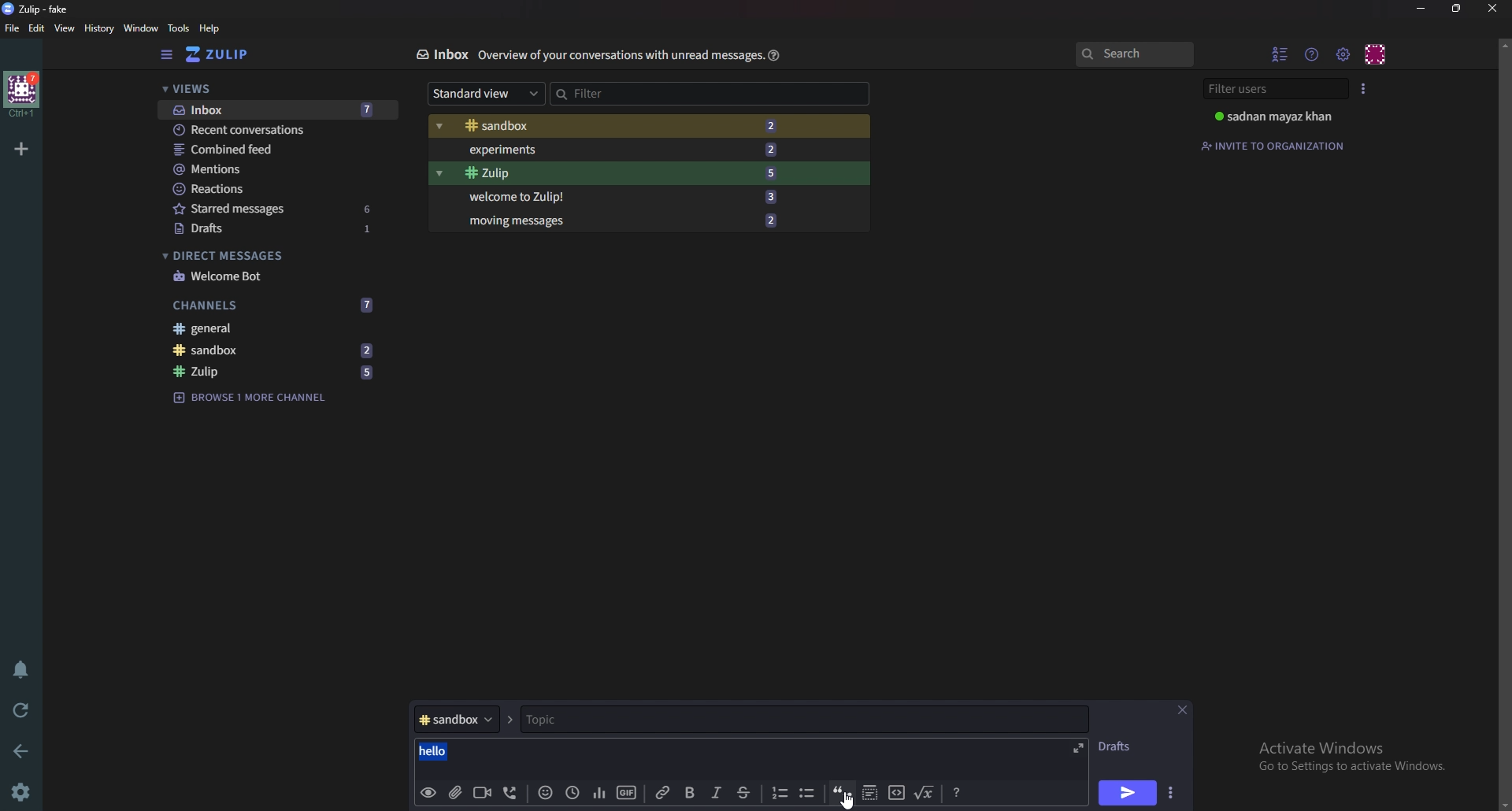  Describe the element at coordinates (618, 56) in the screenshot. I see `overview of your conservations with unread message` at that location.